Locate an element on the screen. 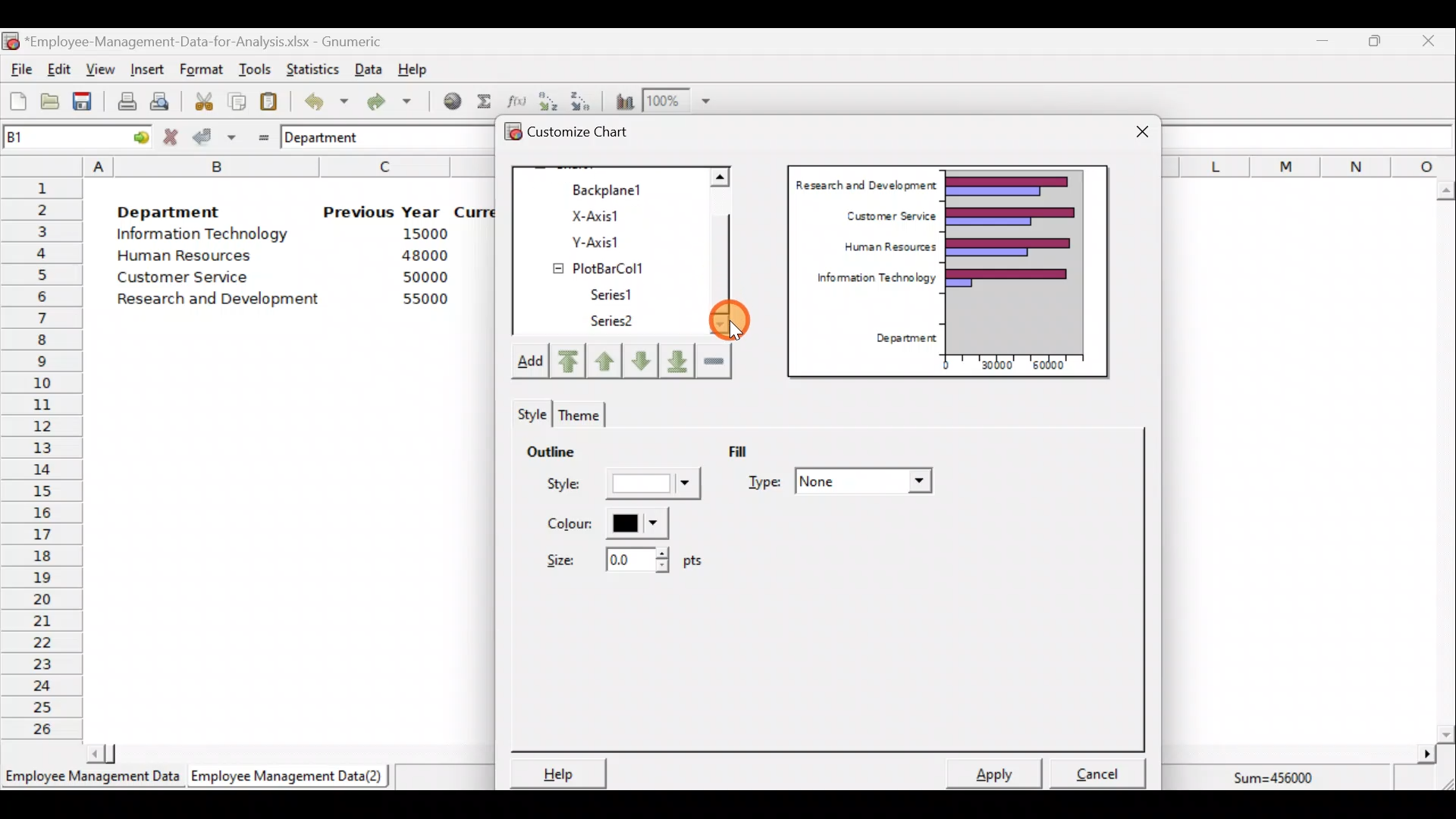  Previous Year is located at coordinates (382, 212).